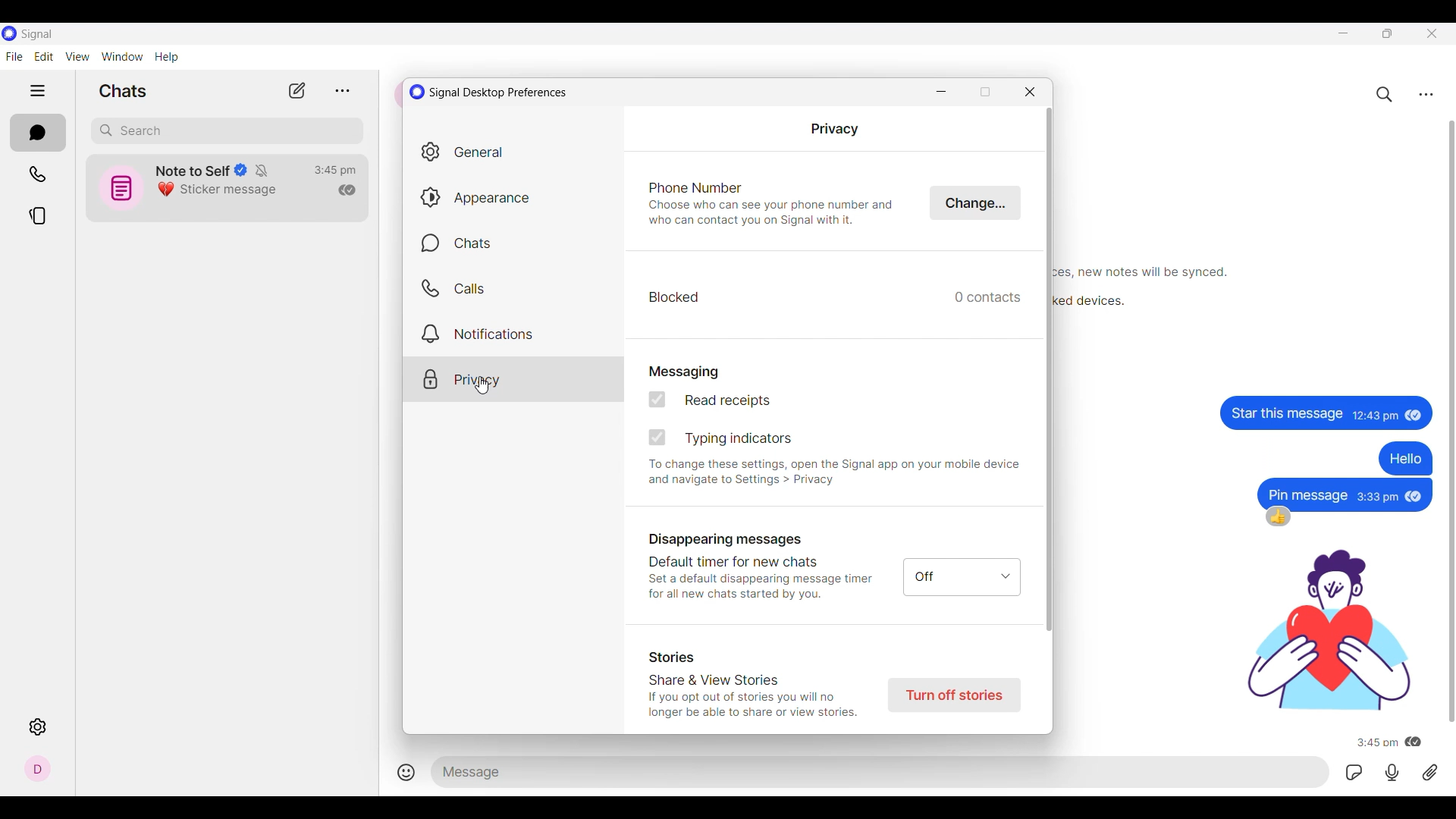  What do you see at coordinates (964, 578) in the screenshot?
I see `off` at bounding box center [964, 578].